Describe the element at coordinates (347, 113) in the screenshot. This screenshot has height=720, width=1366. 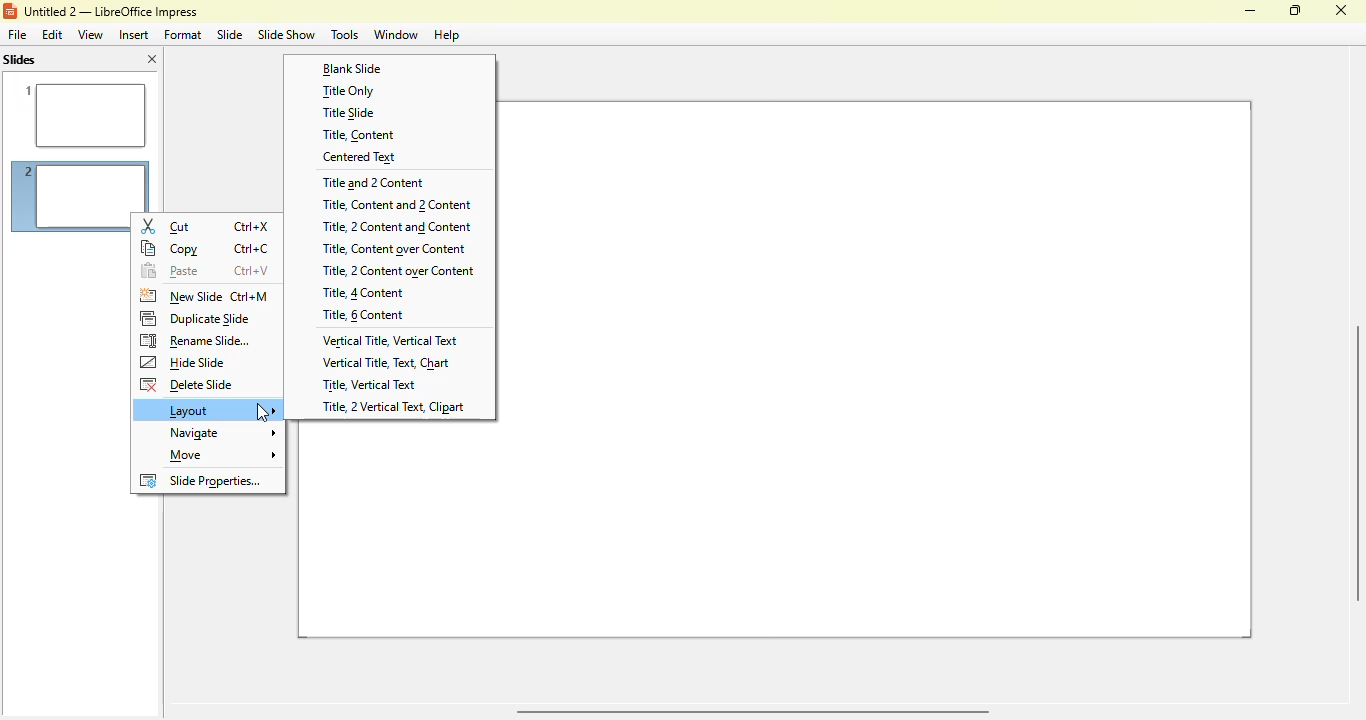
I see `title slide` at that location.